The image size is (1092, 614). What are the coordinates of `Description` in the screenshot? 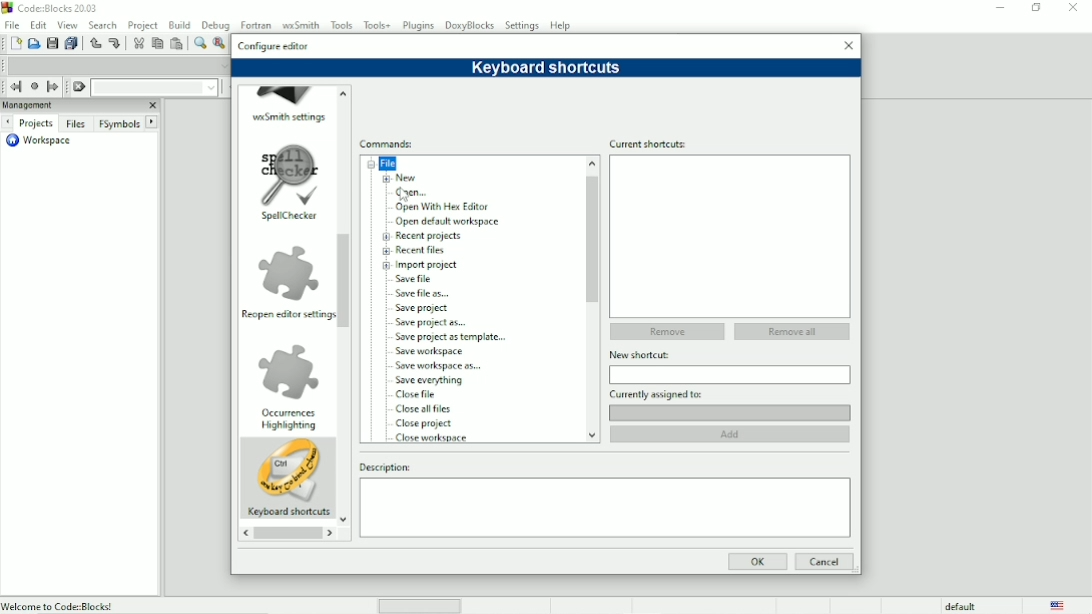 It's located at (603, 466).